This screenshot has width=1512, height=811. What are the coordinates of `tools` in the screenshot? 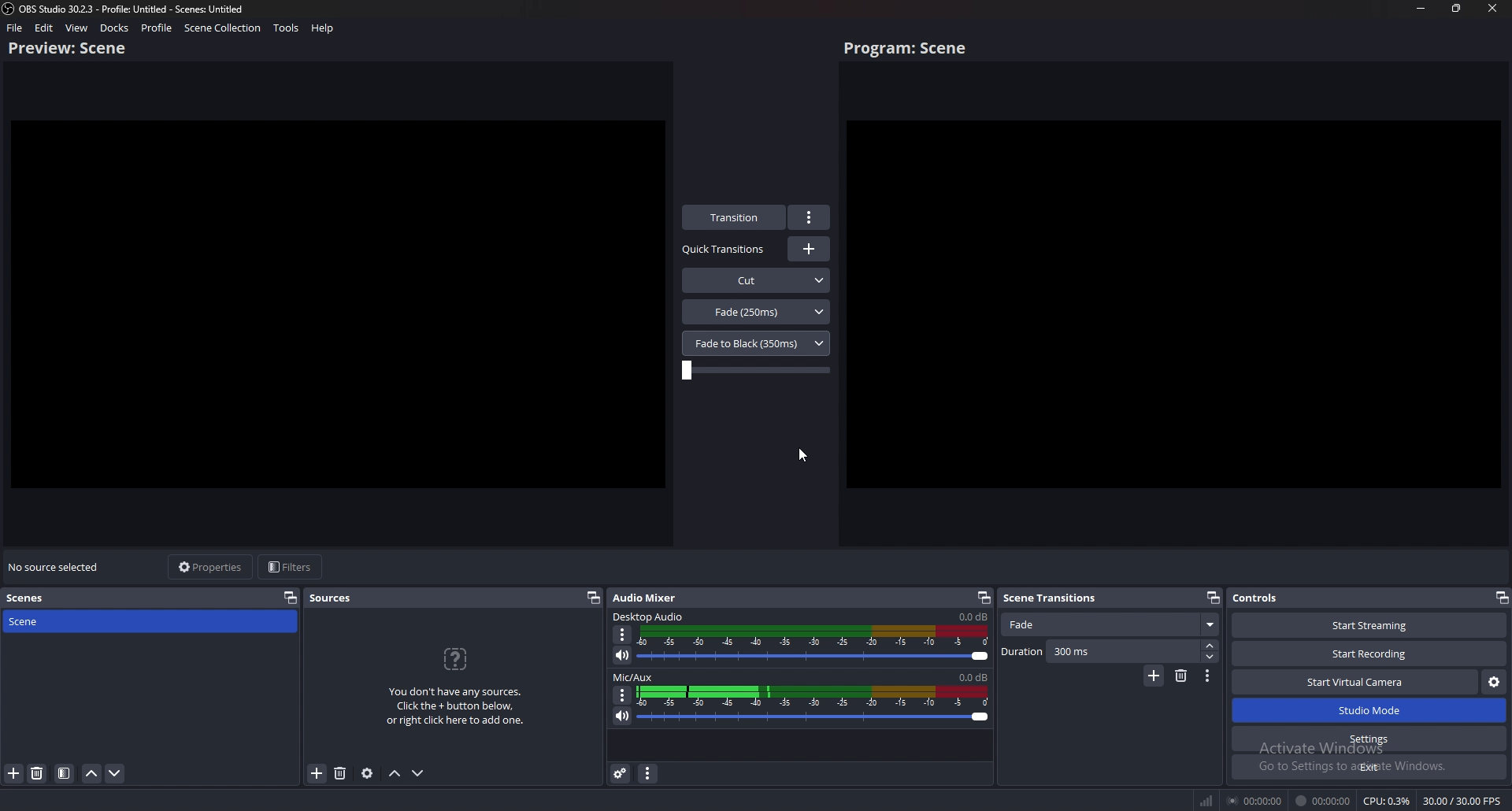 It's located at (286, 28).